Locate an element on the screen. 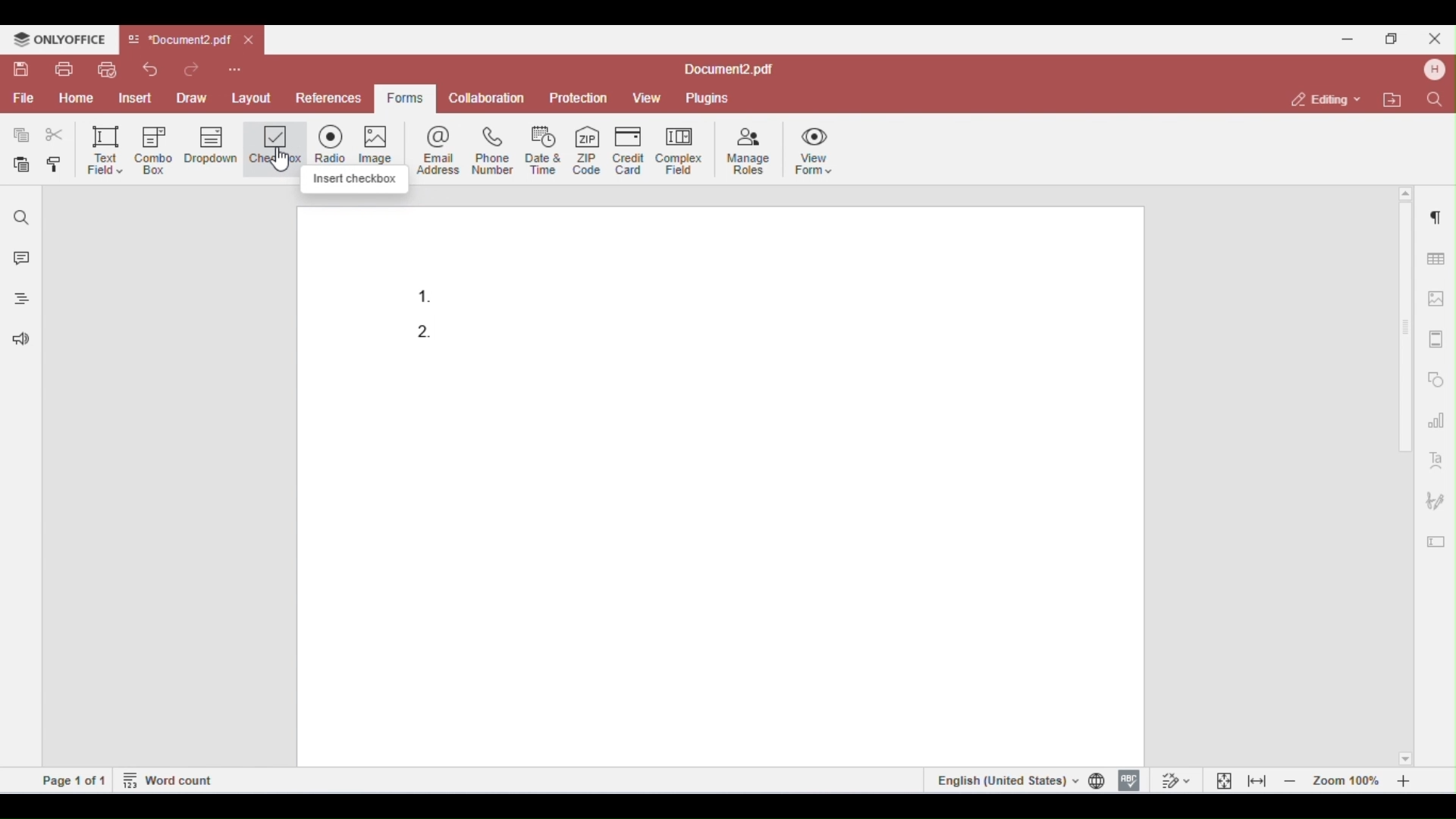 Image resolution: width=1456 pixels, height=819 pixels. image settings is located at coordinates (1437, 299).